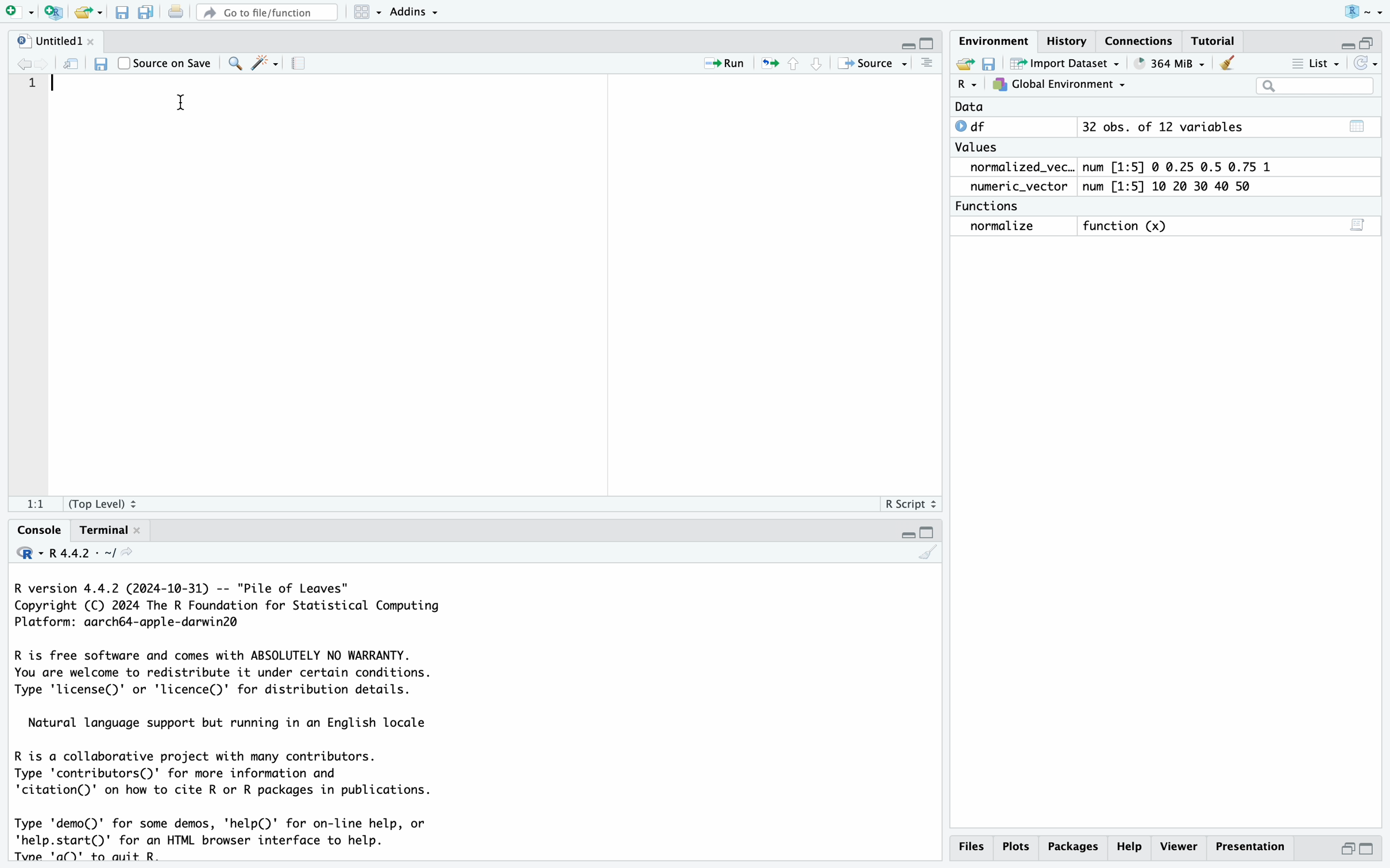 Image resolution: width=1390 pixels, height=868 pixels. What do you see at coordinates (122, 13) in the screenshot?
I see `Save` at bounding box center [122, 13].